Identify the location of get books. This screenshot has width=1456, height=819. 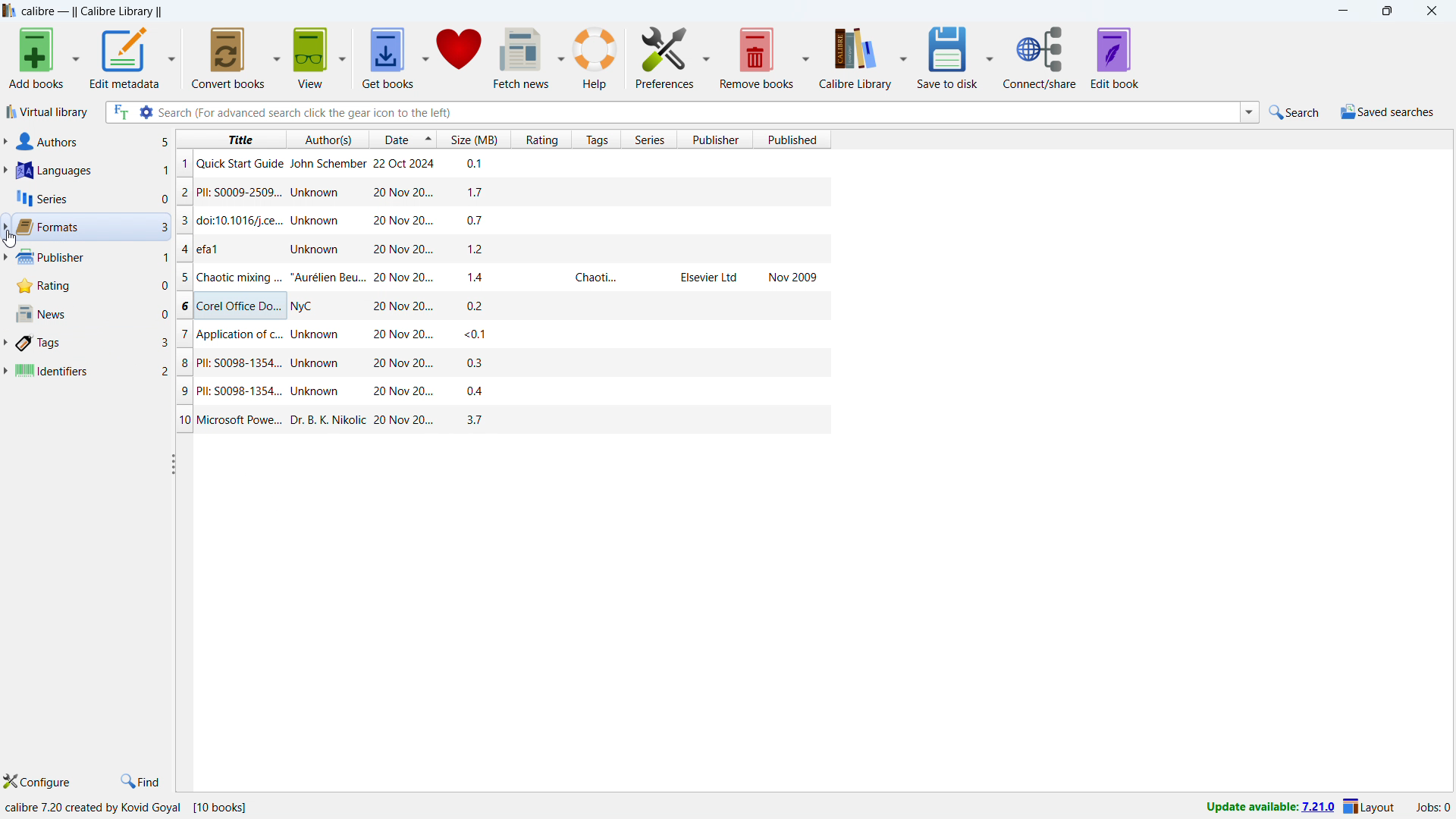
(389, 57).